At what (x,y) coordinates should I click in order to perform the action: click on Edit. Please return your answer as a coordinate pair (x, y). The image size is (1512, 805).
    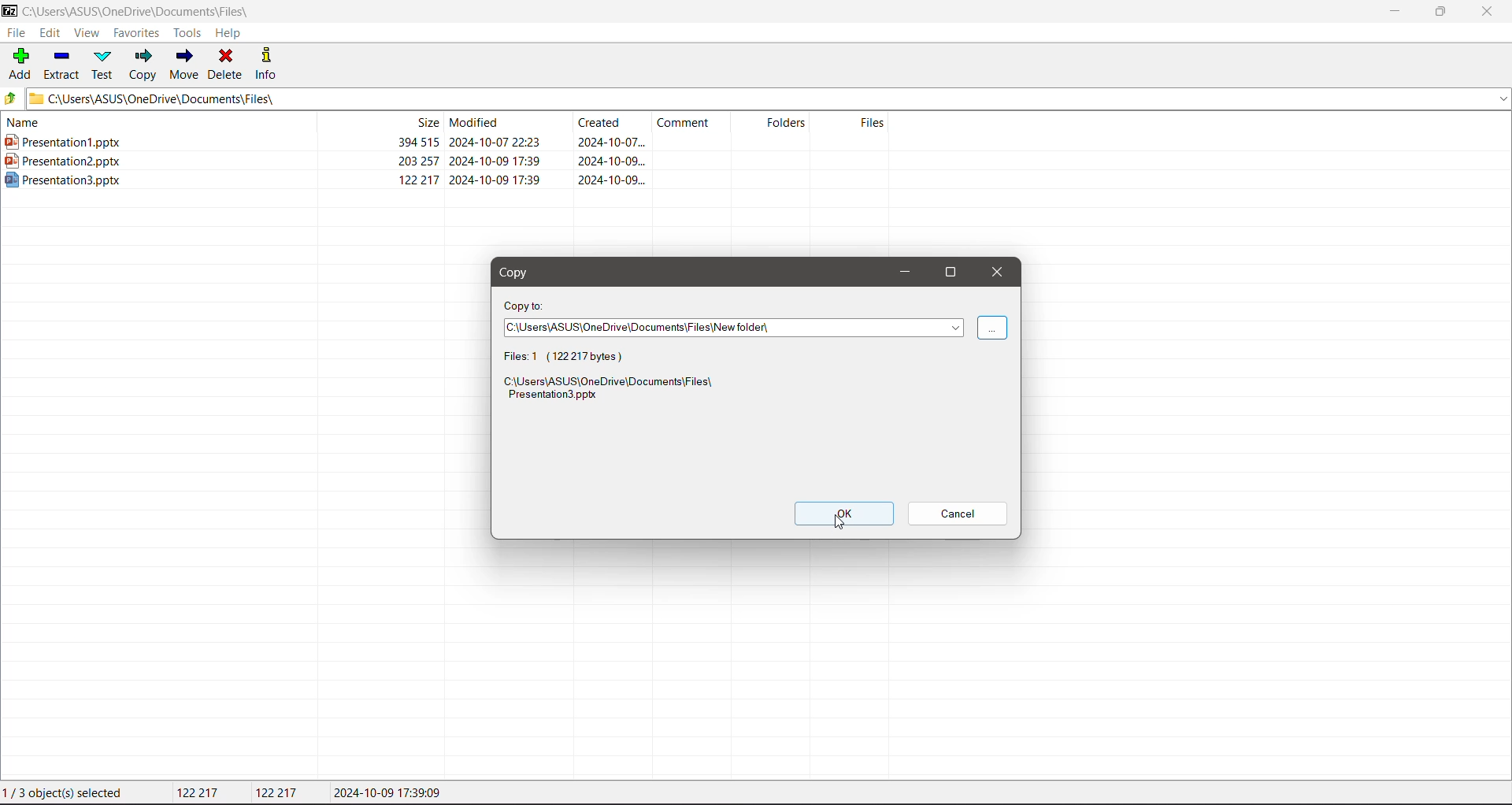
    Looking at the image, I should click on (50, 33).